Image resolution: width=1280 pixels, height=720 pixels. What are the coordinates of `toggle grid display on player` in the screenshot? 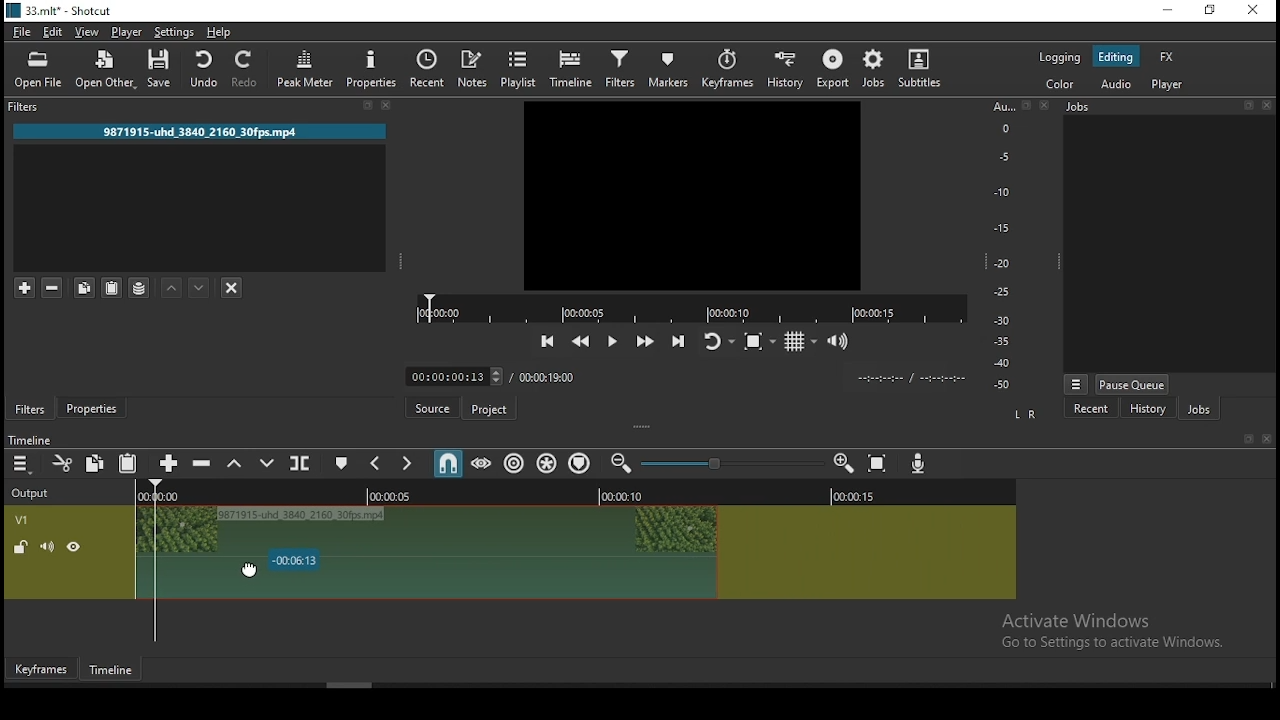 It's located at (805, 342).